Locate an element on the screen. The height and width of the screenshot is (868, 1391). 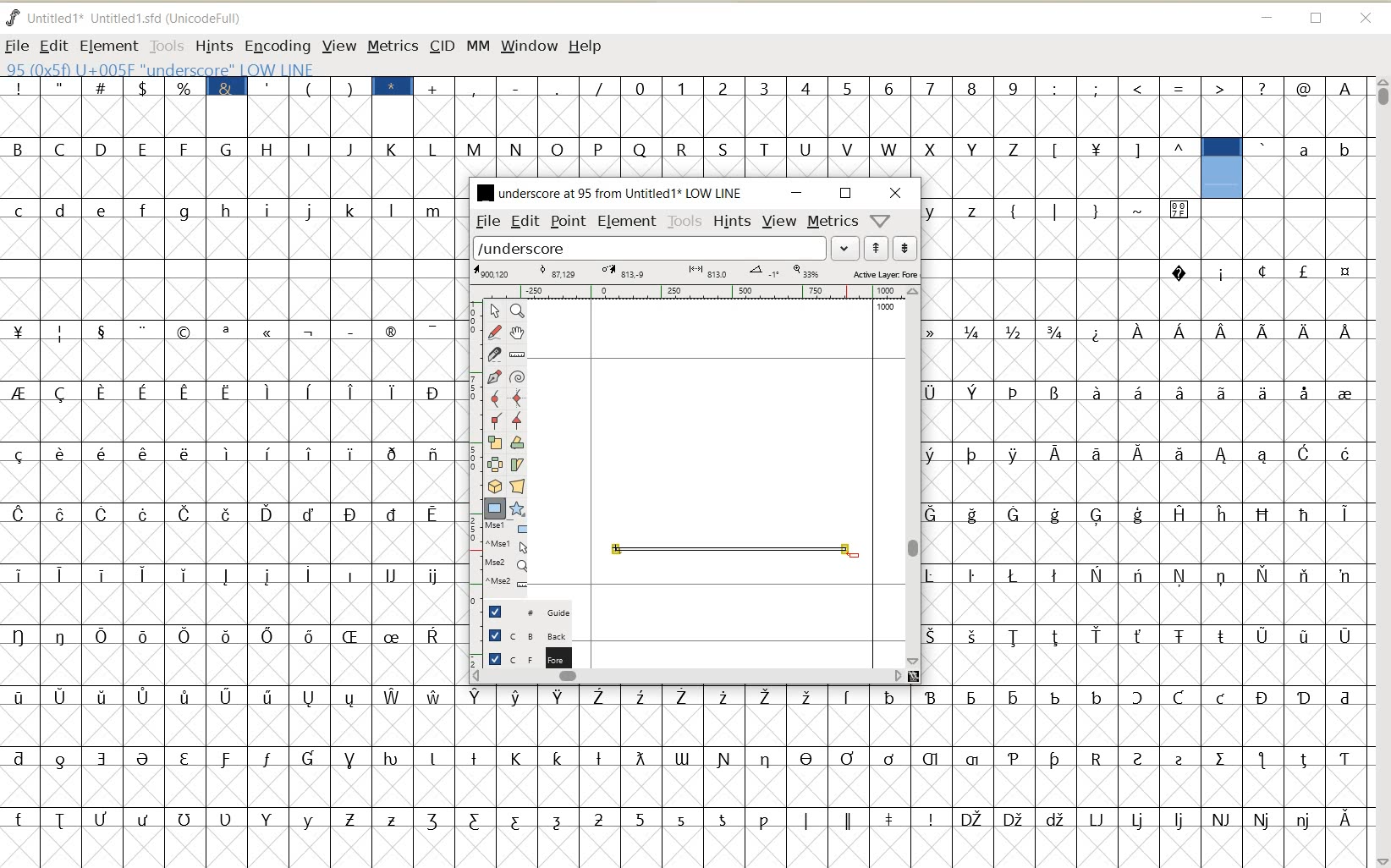
BACKGROUND is located at coordinates (522, 635).